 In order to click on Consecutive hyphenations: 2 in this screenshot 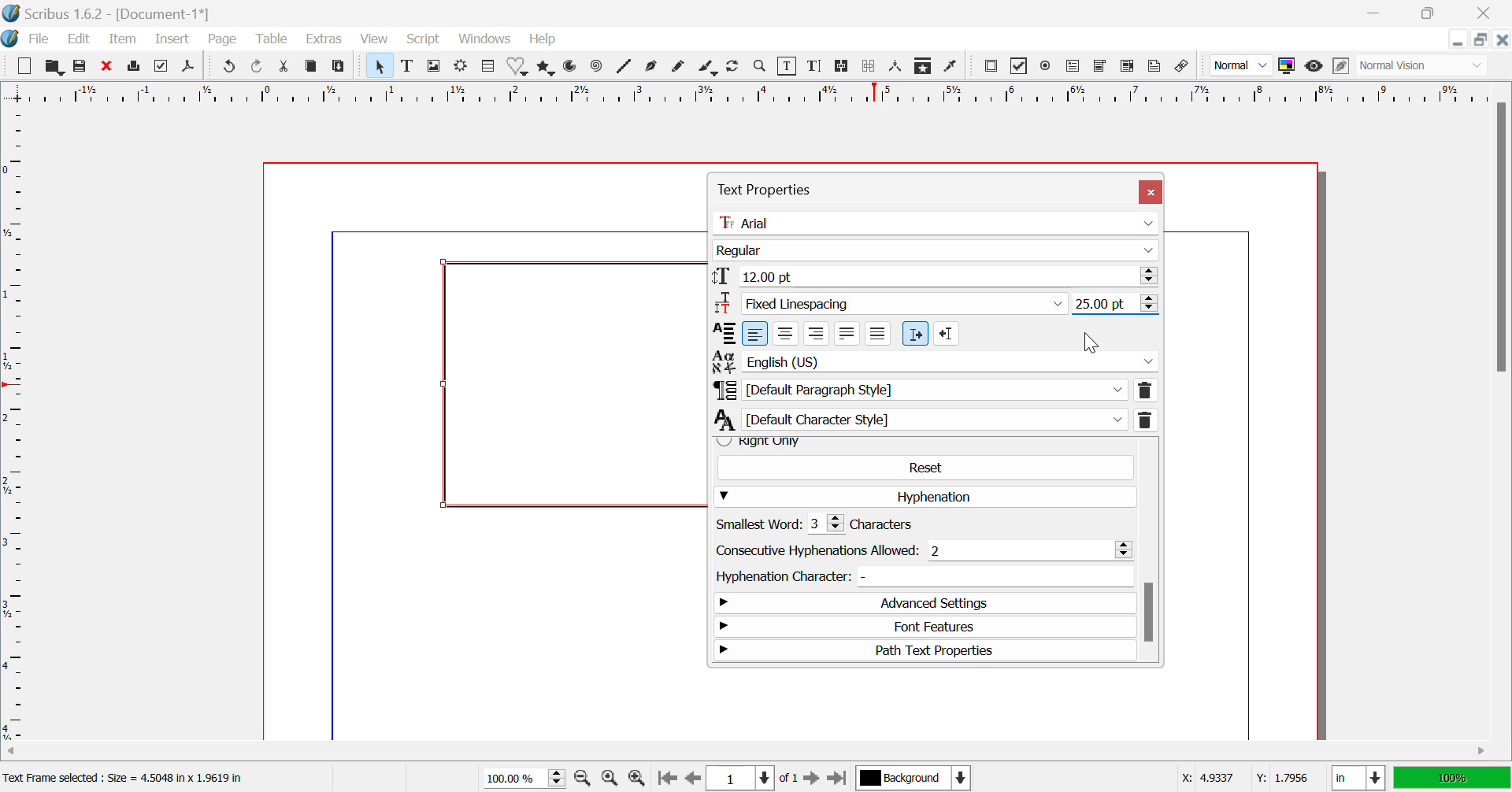, I will do `click(923, 550)`.